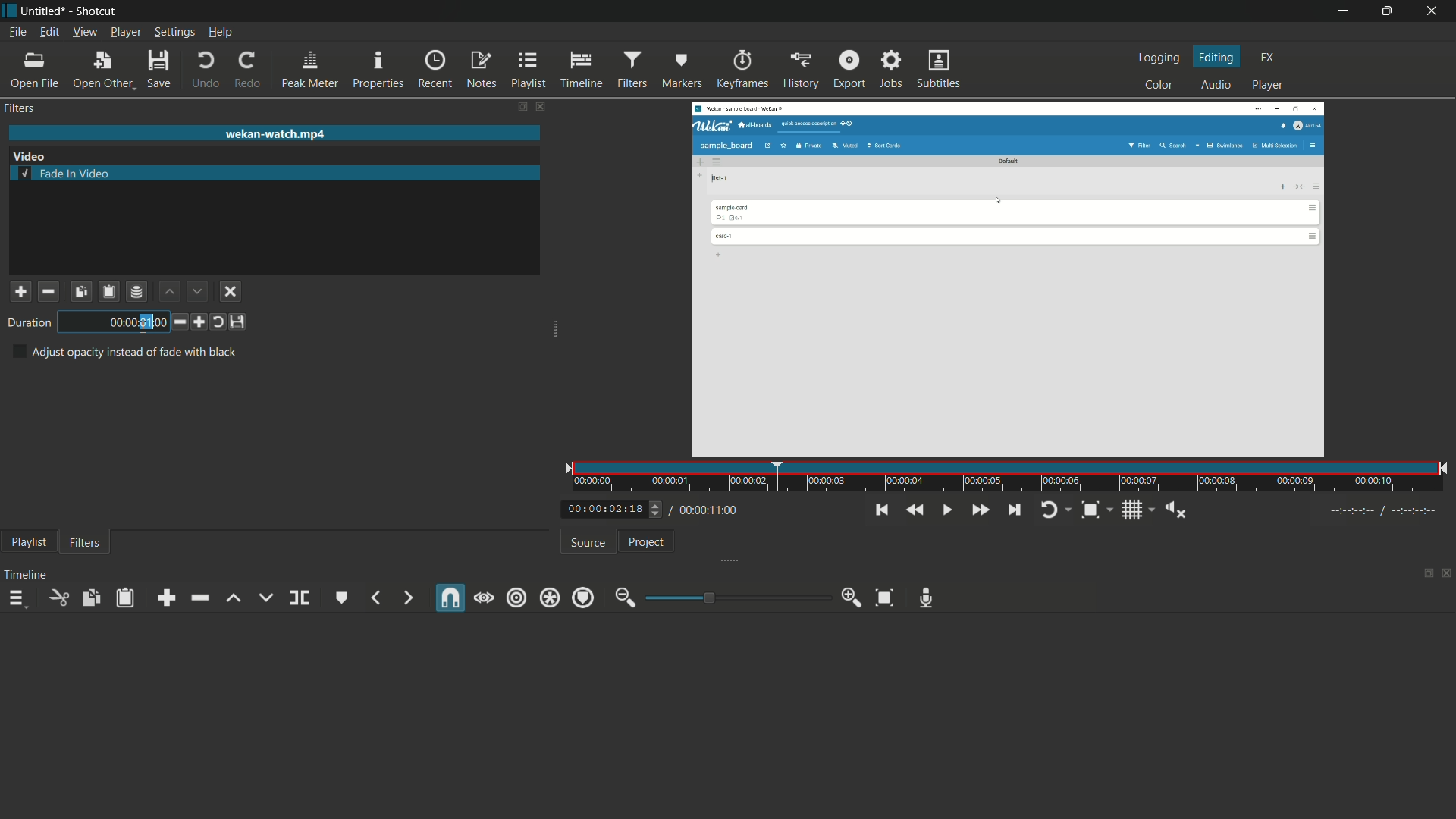  I want to click on edit menu, so click(51, 33).